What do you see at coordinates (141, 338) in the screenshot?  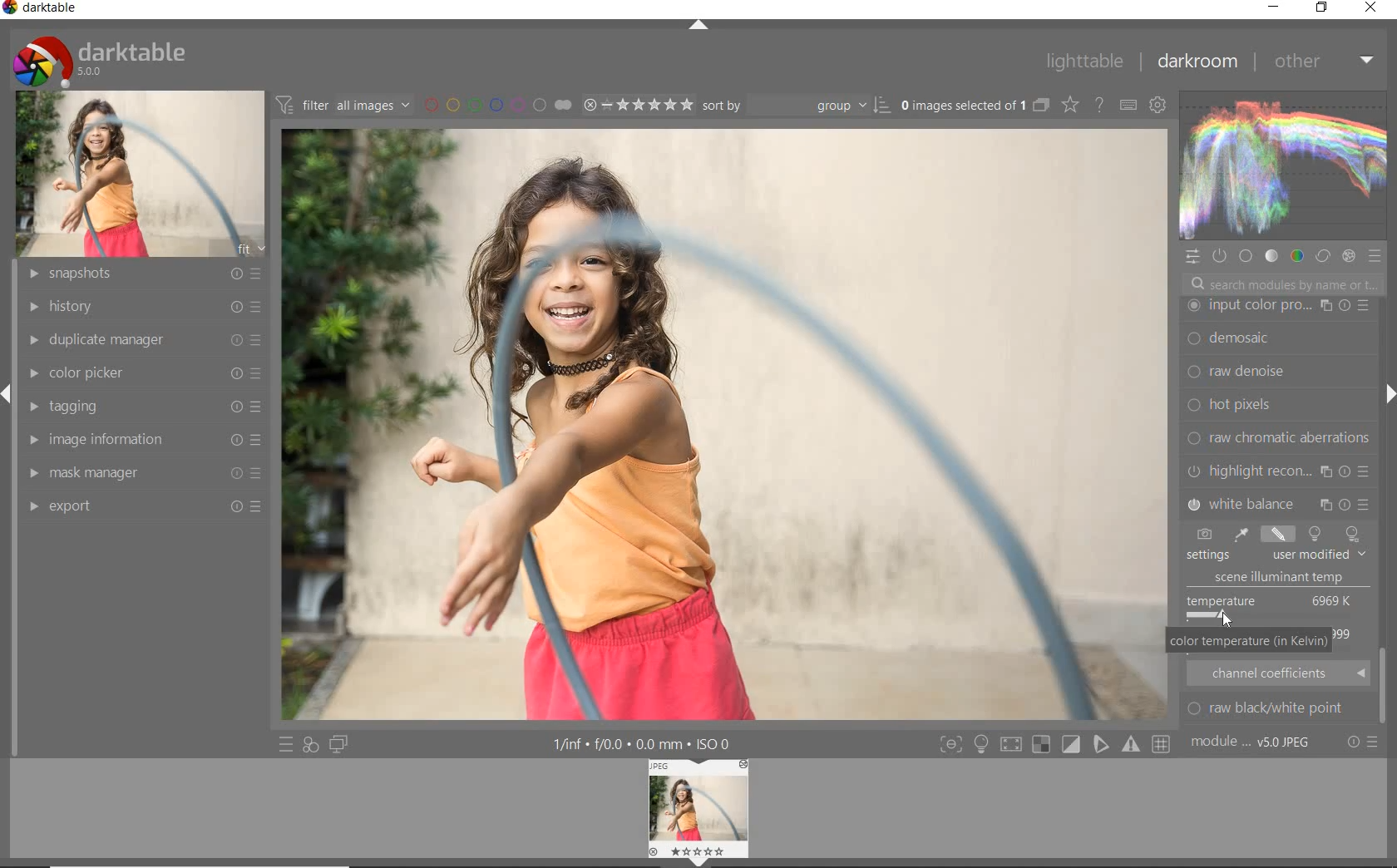 I see `duplicate manager` at bounding box center [141, 338].